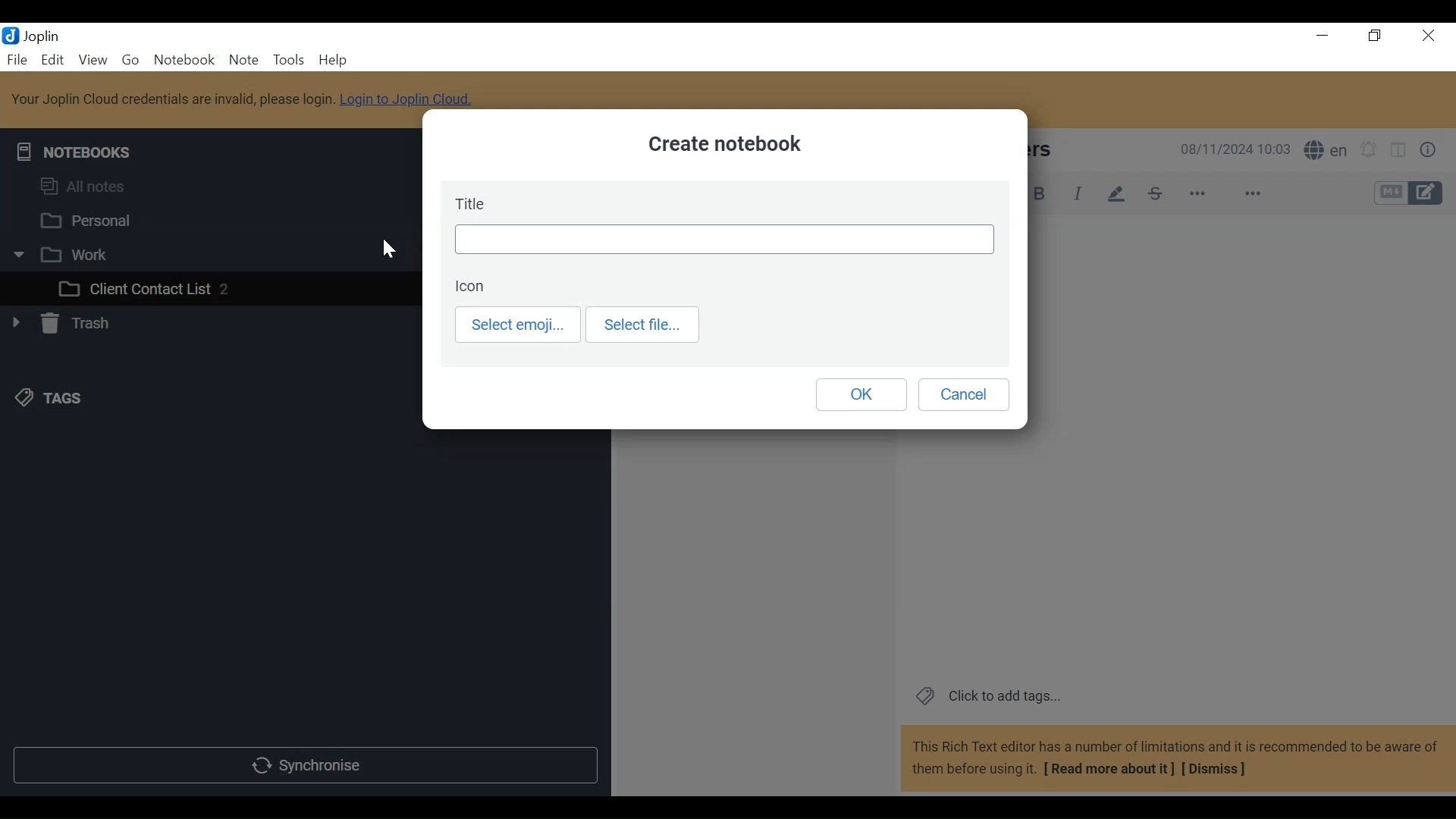 The image size is (1456, 819). What do you see at coordinates (990, 697) in the screenshot?
I see `Click to add tags` at bounding box center [990, 697].